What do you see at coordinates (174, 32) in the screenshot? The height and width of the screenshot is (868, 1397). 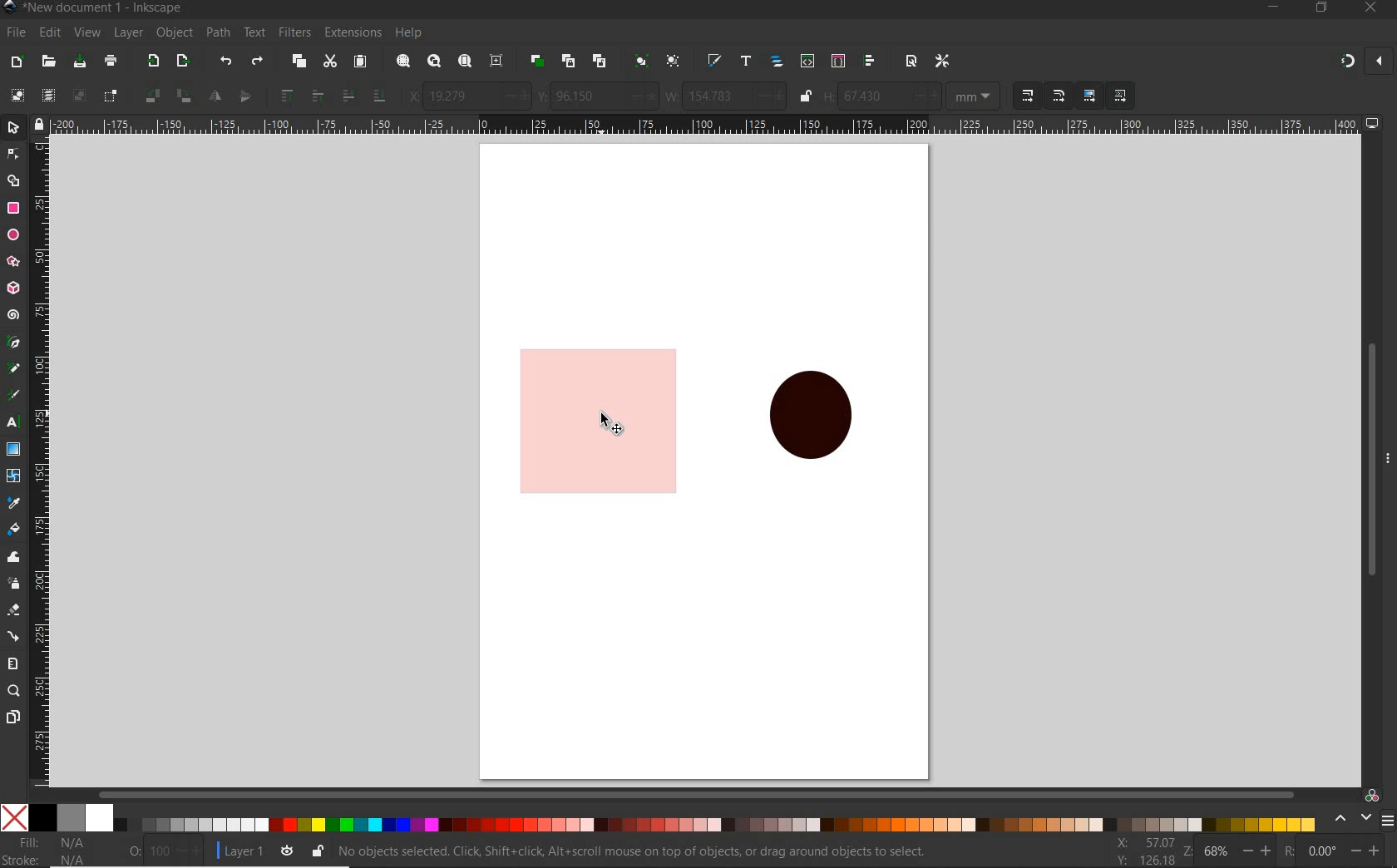 I see `object` at bounding box center [174, 32].